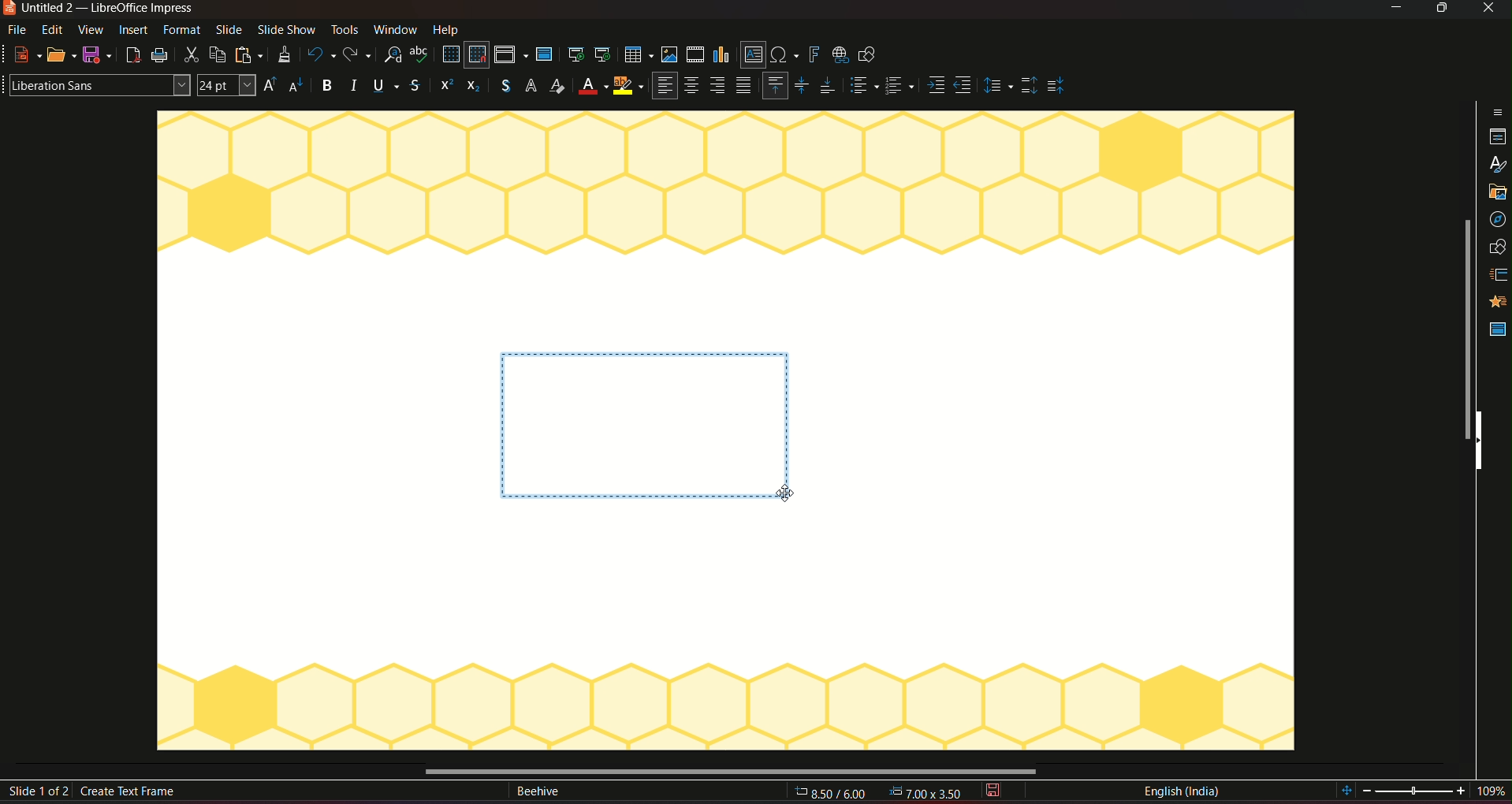 This screenshot has width=1512, height=804. What do you see at coordinates (356, 86) in the screenshot?
I see `Italic` at bounding box center [356, 86].